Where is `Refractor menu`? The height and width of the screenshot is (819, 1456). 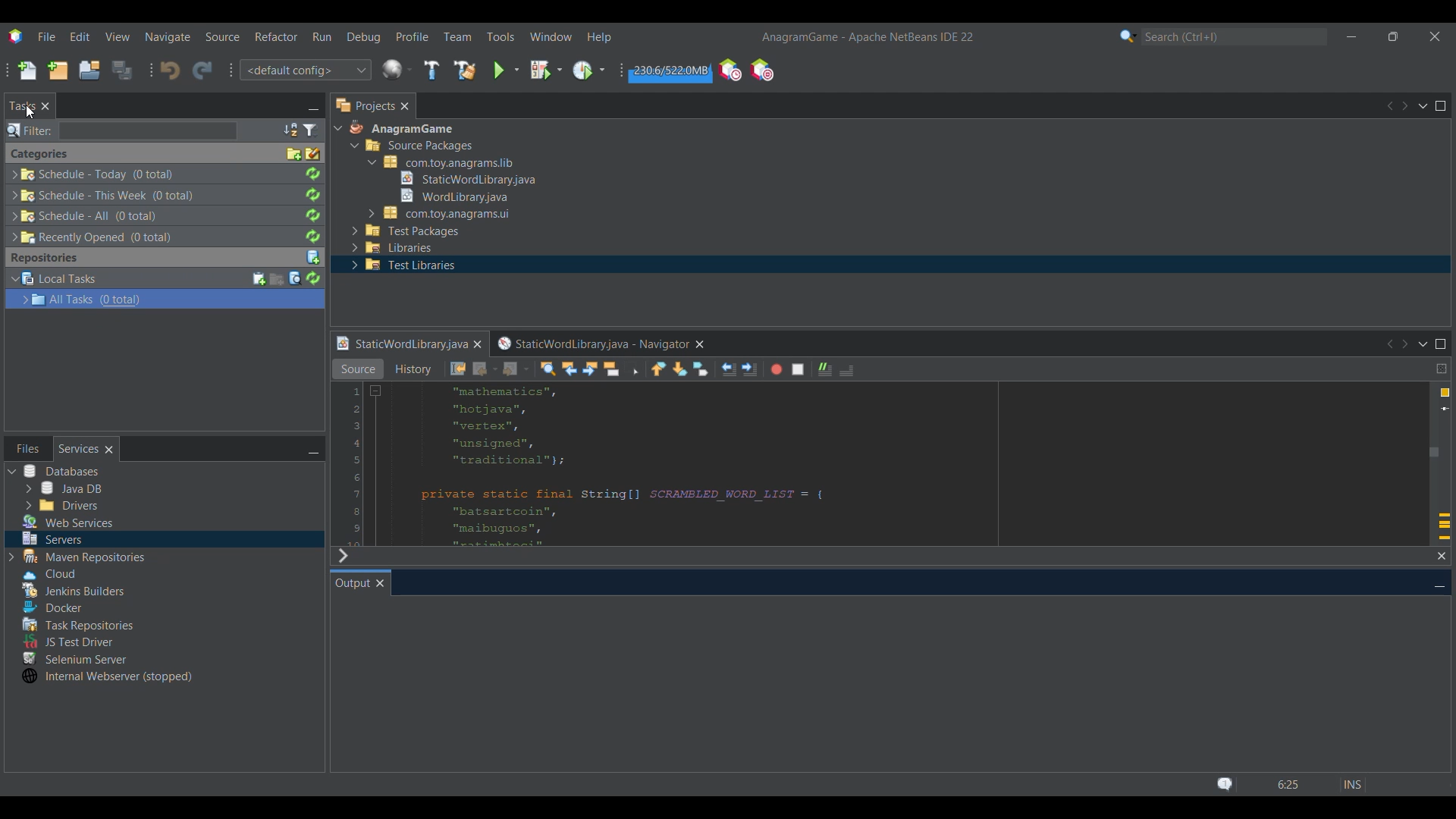 Refractor menu is located at coordinates (277, 36).